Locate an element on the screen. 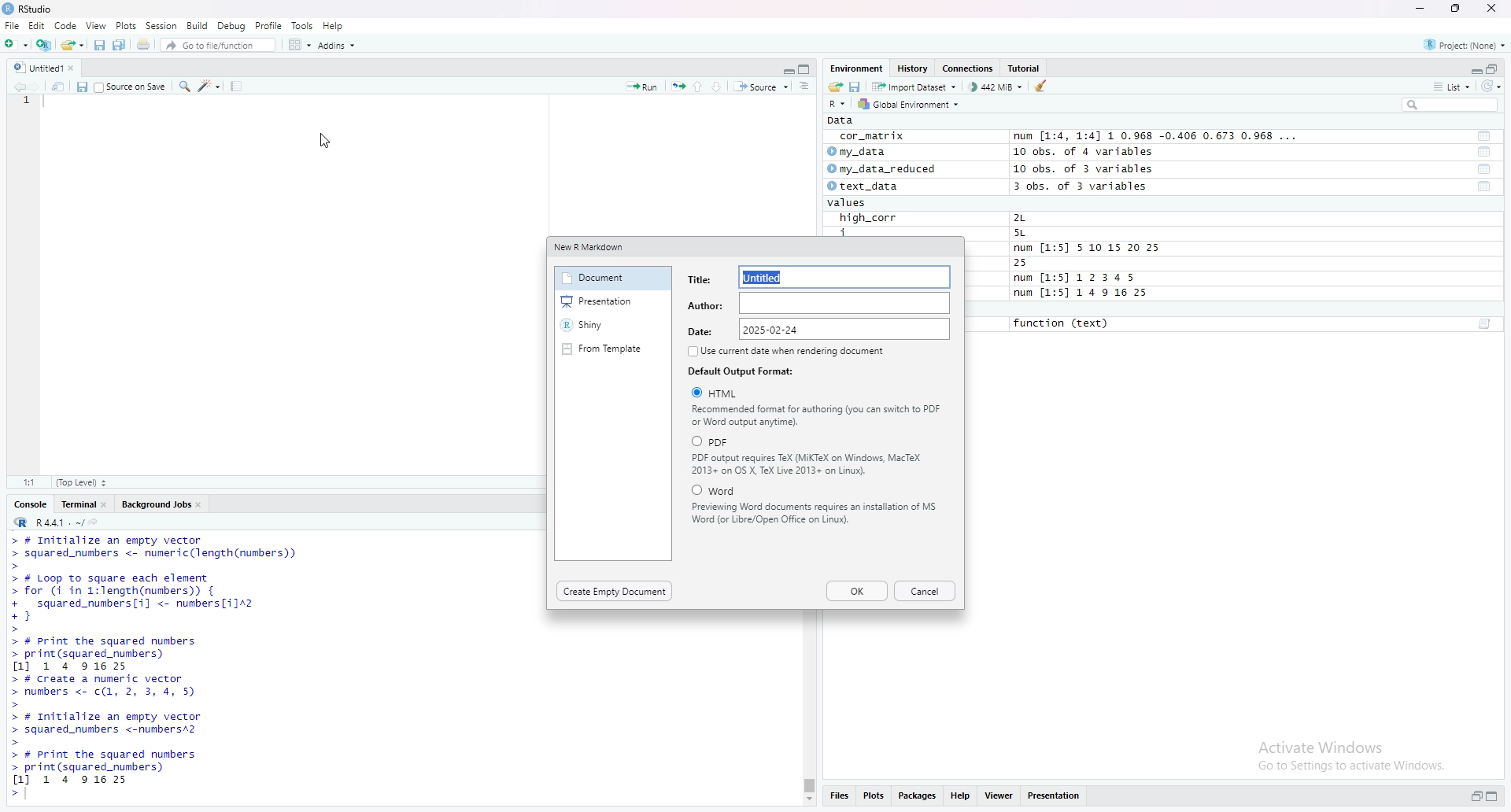 Image resolution: width=1511 pixels, height=812 pixels. Document is located at coordinates (611, 279).